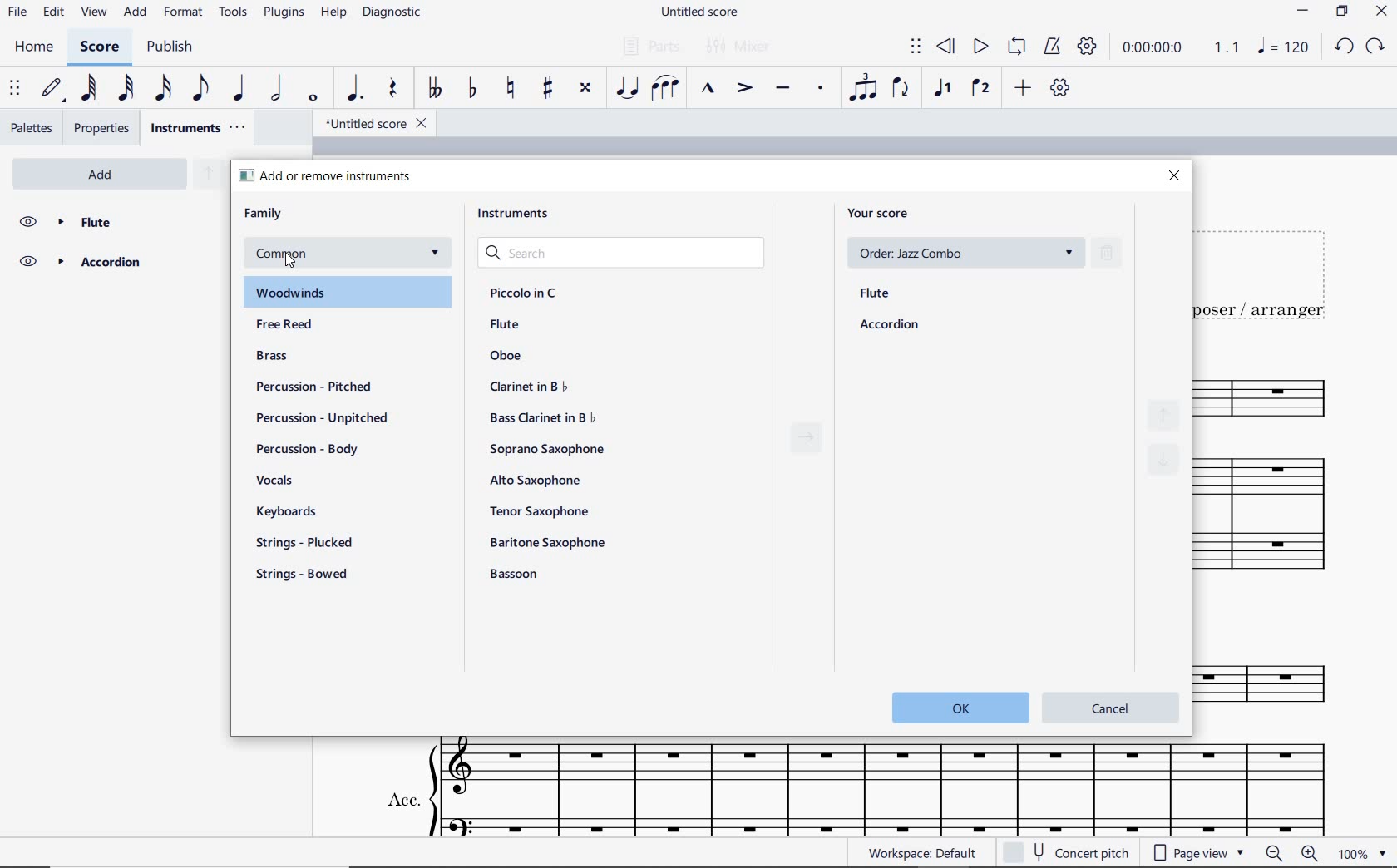 The image size is (1397, 868). What do you see at coordinates (1284, 49) in the screenshot?
I see `NOTE` at bounding box center [1284, 49].